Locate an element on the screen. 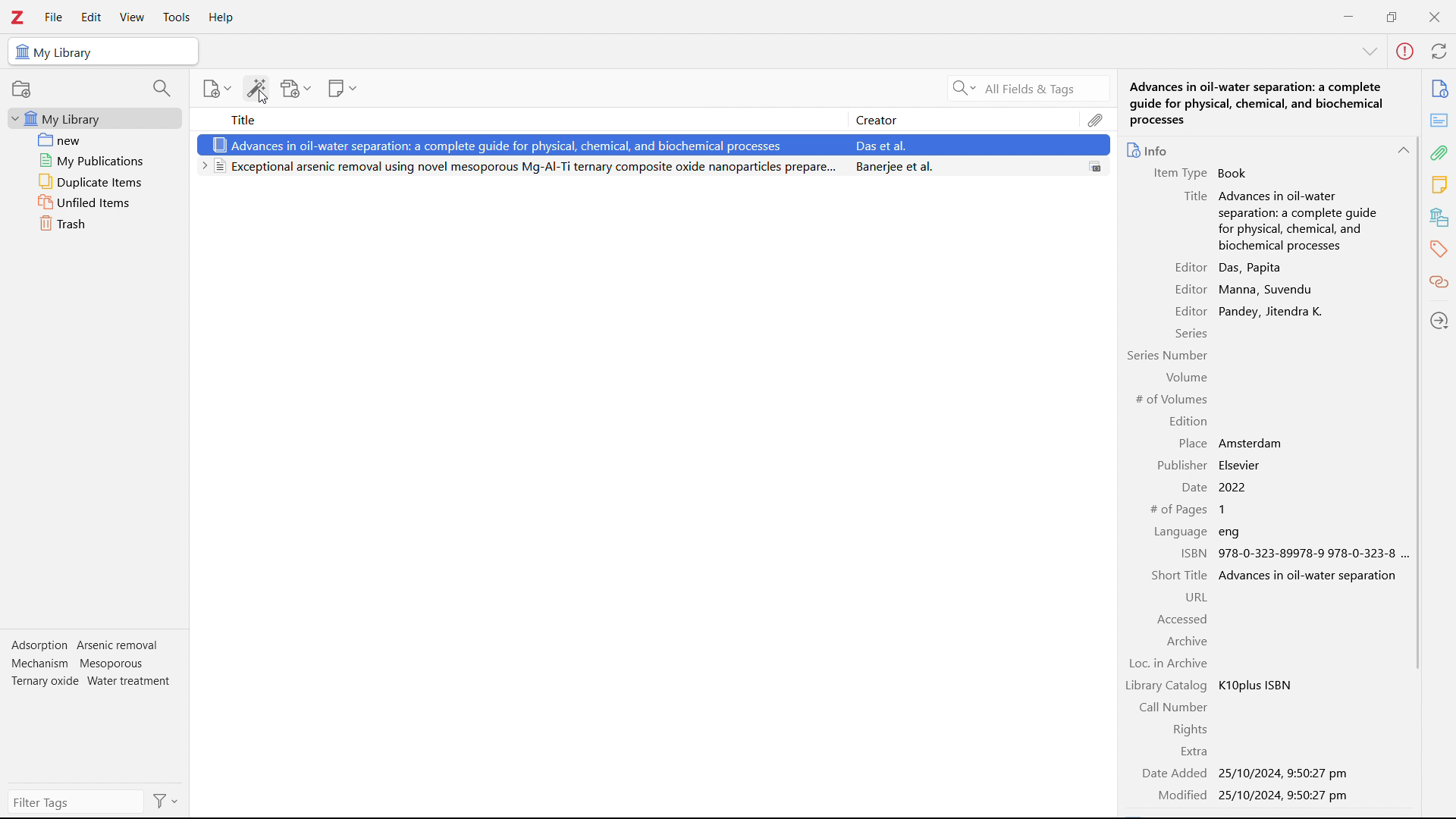 The image size is (1456, 819). publisher is located at coordinates (1182, 465).